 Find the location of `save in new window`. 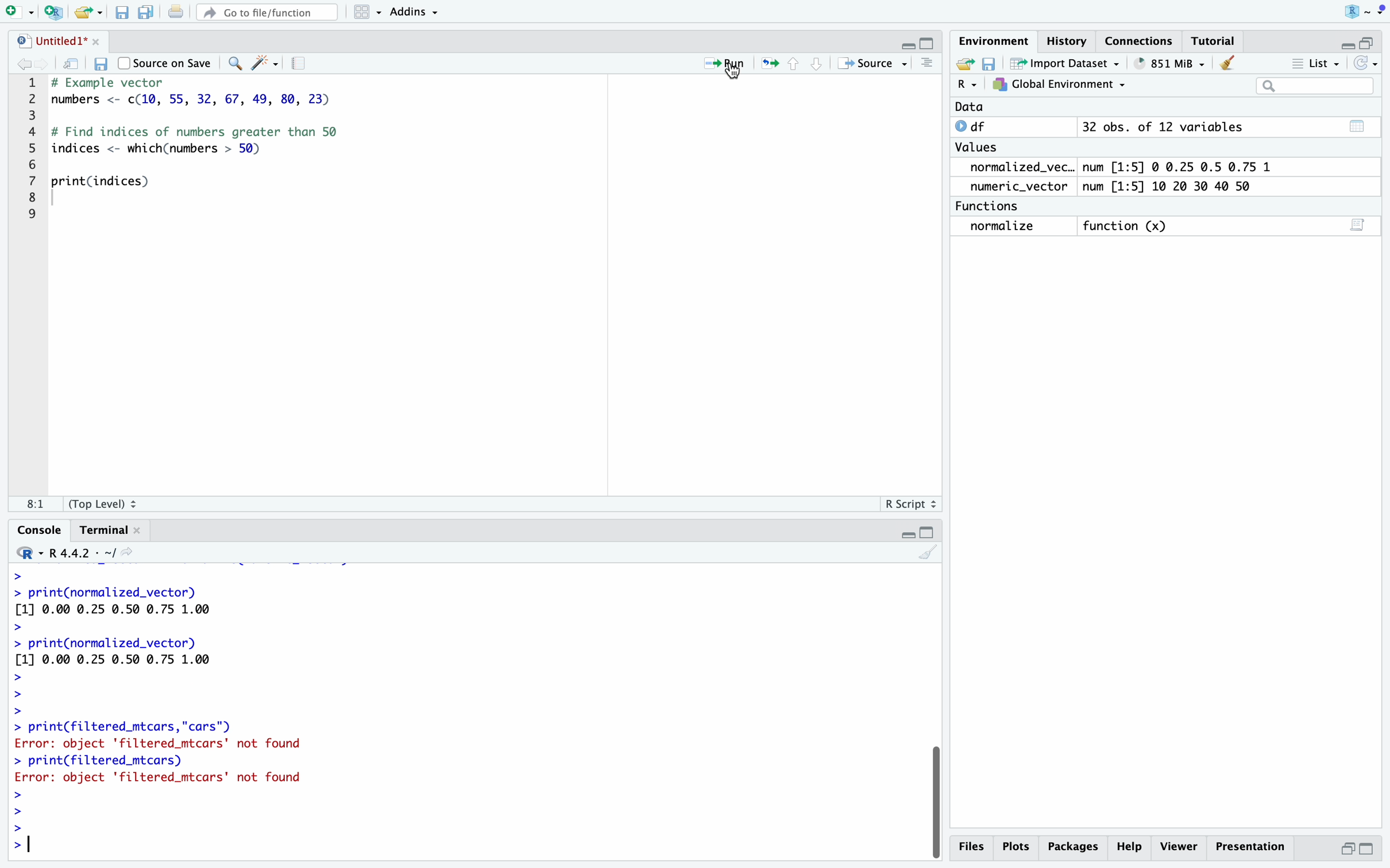

save in new window is located at coordinates (72, 64).